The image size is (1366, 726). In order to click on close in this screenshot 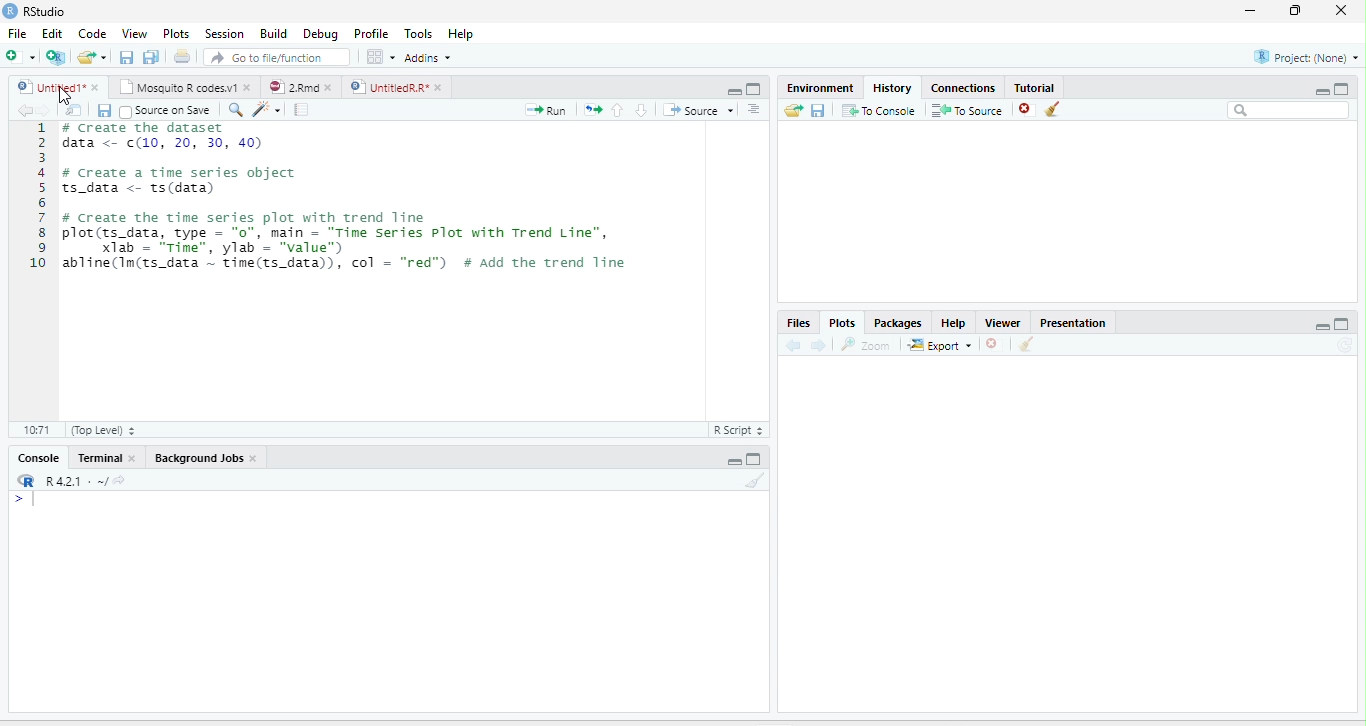, I will do `click(131, 458)`.